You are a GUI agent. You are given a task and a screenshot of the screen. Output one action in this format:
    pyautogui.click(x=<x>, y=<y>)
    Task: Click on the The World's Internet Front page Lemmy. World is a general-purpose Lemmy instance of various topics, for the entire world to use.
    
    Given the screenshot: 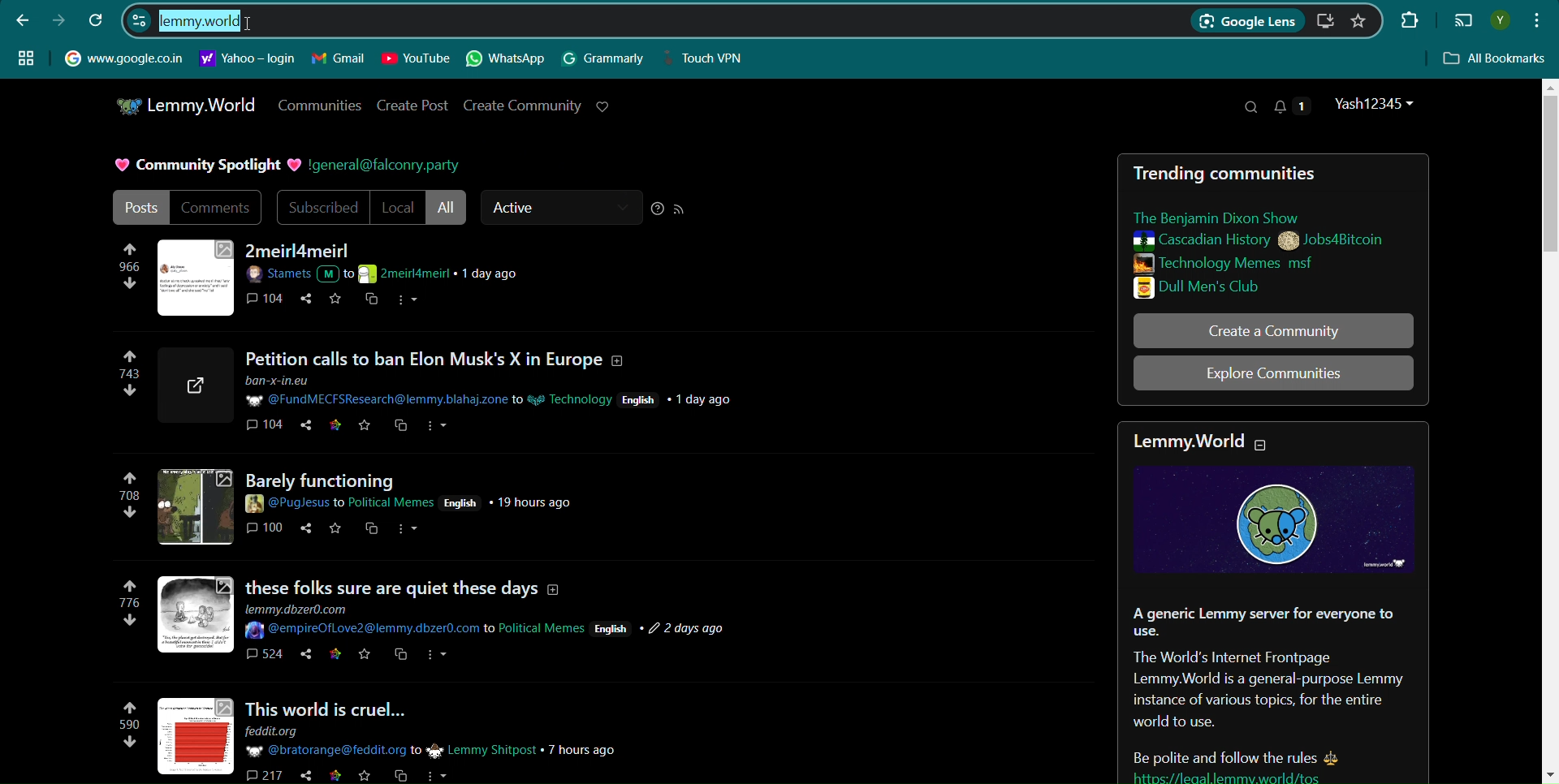 What is the action you would take?
    pyautogui.click(x=1267, y=691)
    